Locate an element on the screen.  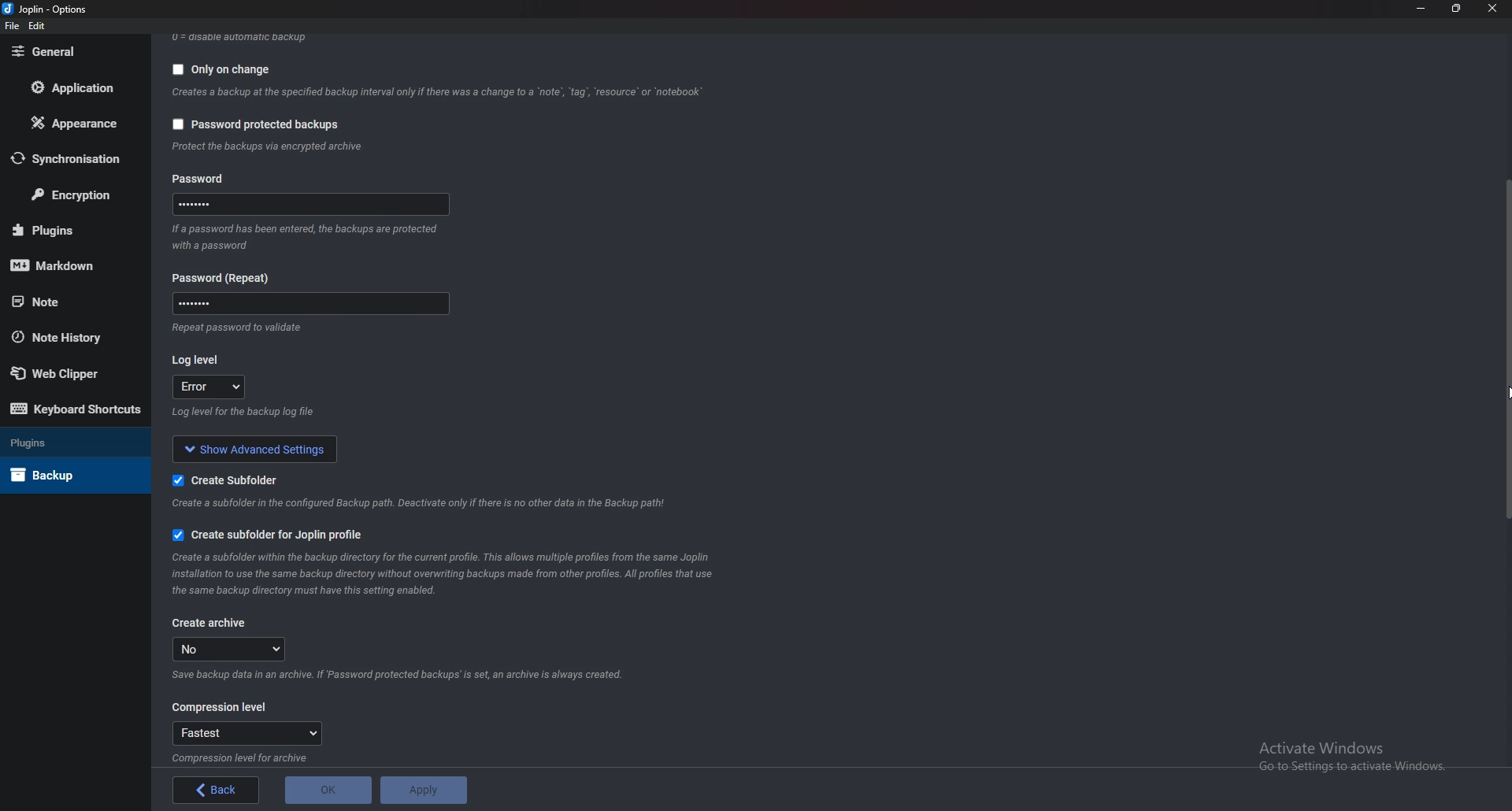
password is located at coordinates (202, 178).